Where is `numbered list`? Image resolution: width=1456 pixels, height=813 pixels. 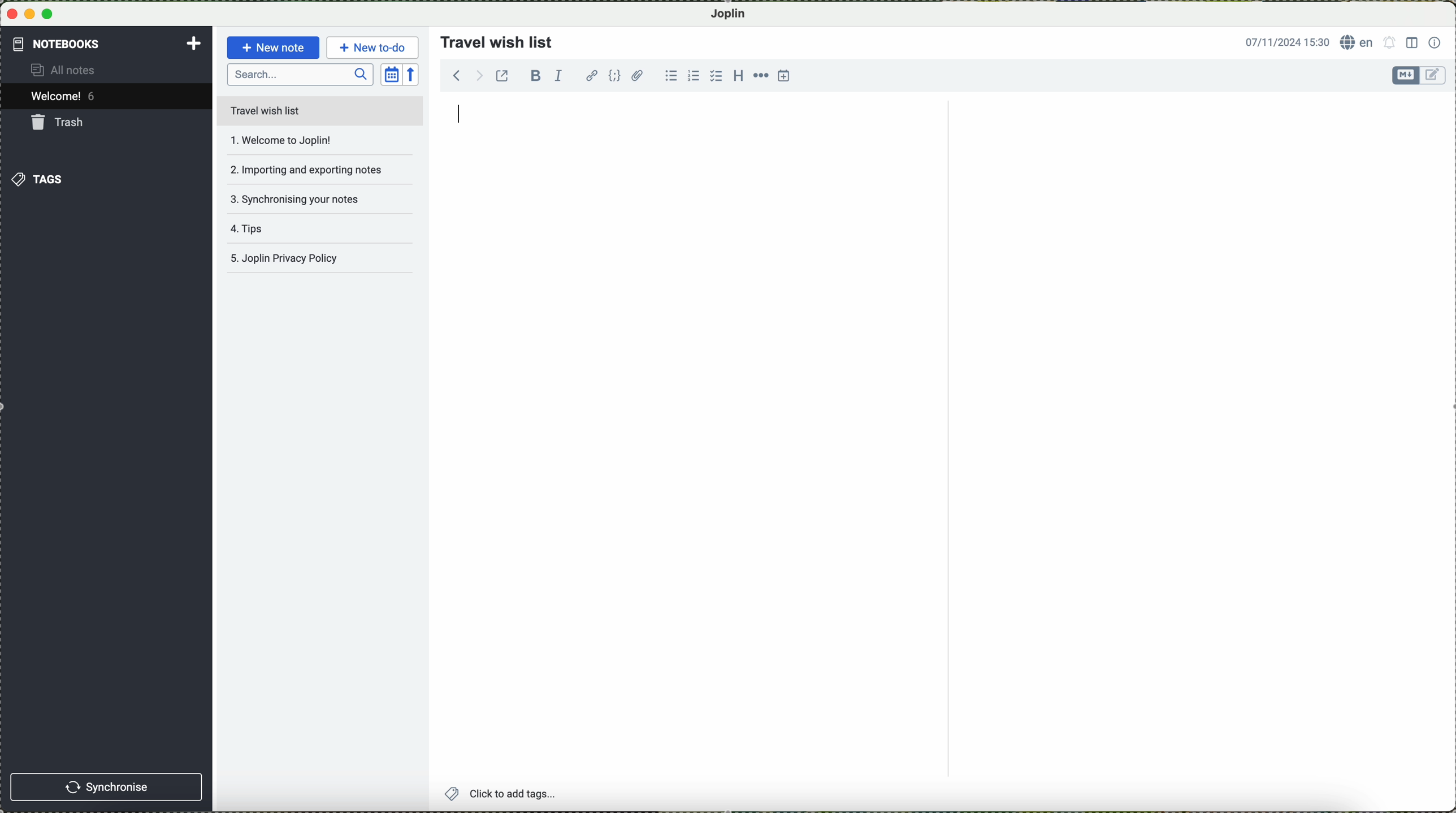
numbered list is located at coordinates (693, 75).